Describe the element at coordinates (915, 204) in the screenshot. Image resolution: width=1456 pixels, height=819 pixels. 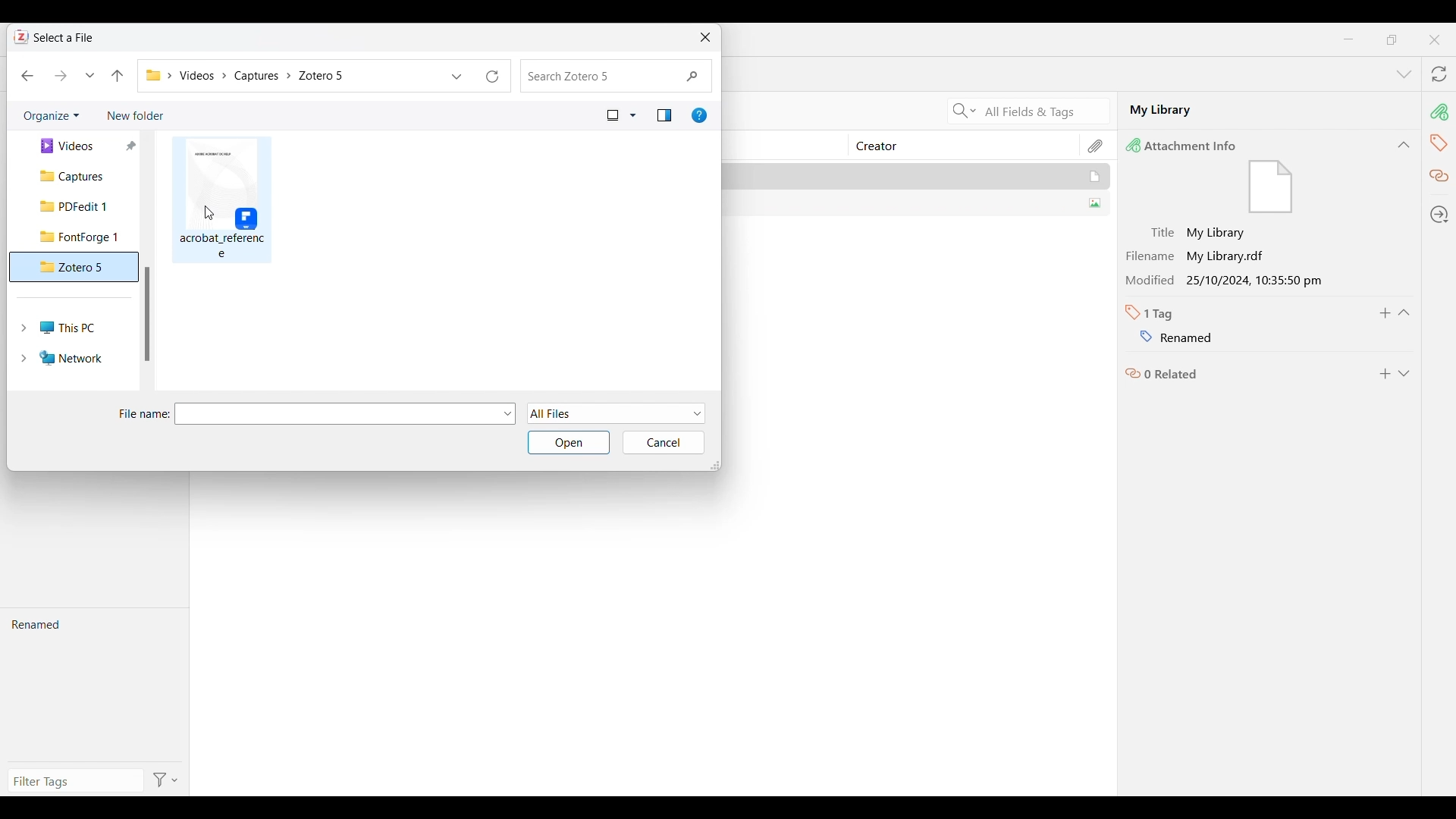
I see `SUMMER` at that location.